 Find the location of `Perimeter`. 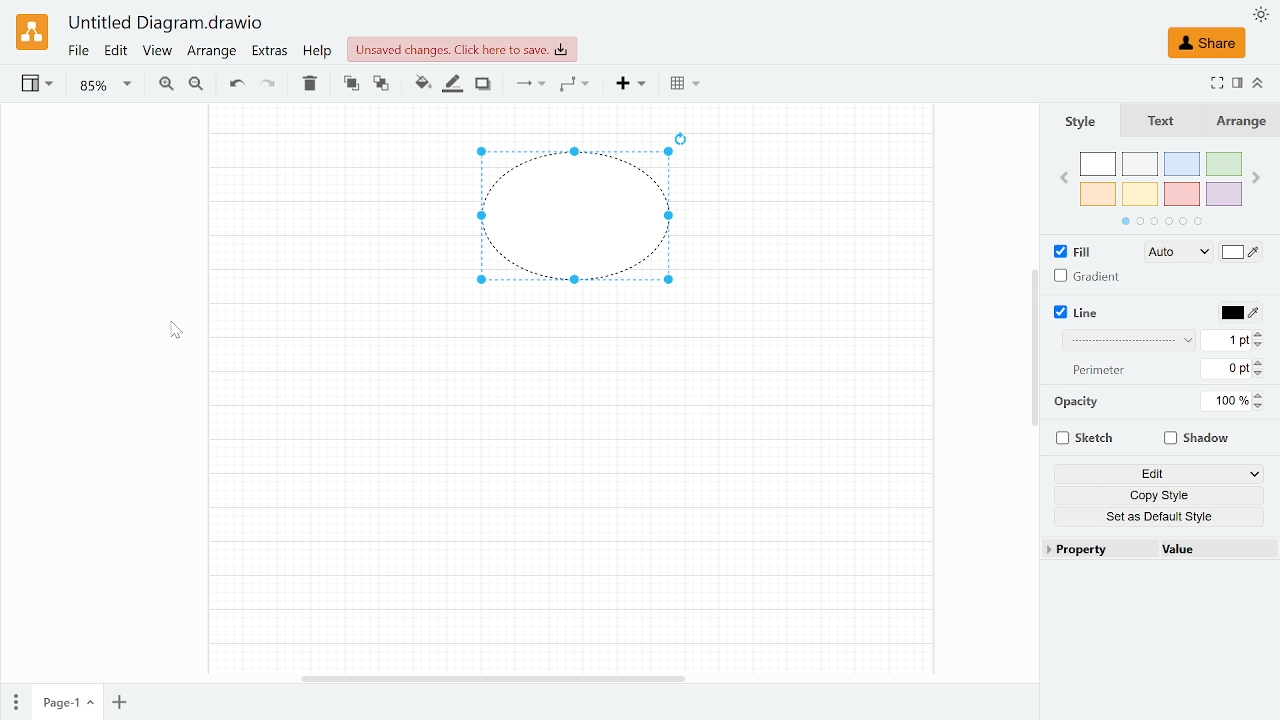

Perimeter is located at coordinates (1099, 370).